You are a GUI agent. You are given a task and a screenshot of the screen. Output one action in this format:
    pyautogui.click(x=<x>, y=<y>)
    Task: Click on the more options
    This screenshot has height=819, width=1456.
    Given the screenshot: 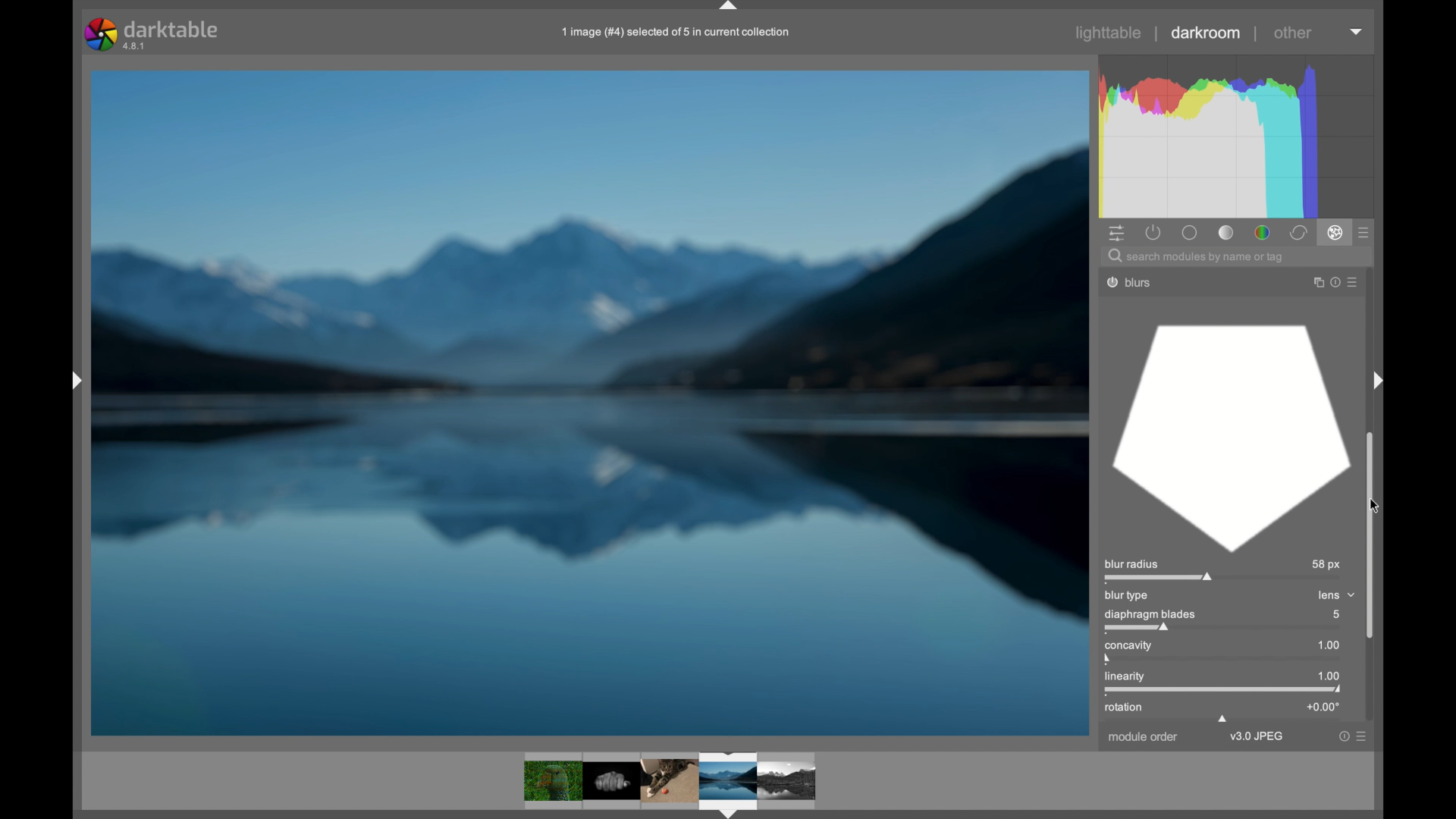 What is the action you would take?
    pyautogui.click(x=1351, y=283)
    